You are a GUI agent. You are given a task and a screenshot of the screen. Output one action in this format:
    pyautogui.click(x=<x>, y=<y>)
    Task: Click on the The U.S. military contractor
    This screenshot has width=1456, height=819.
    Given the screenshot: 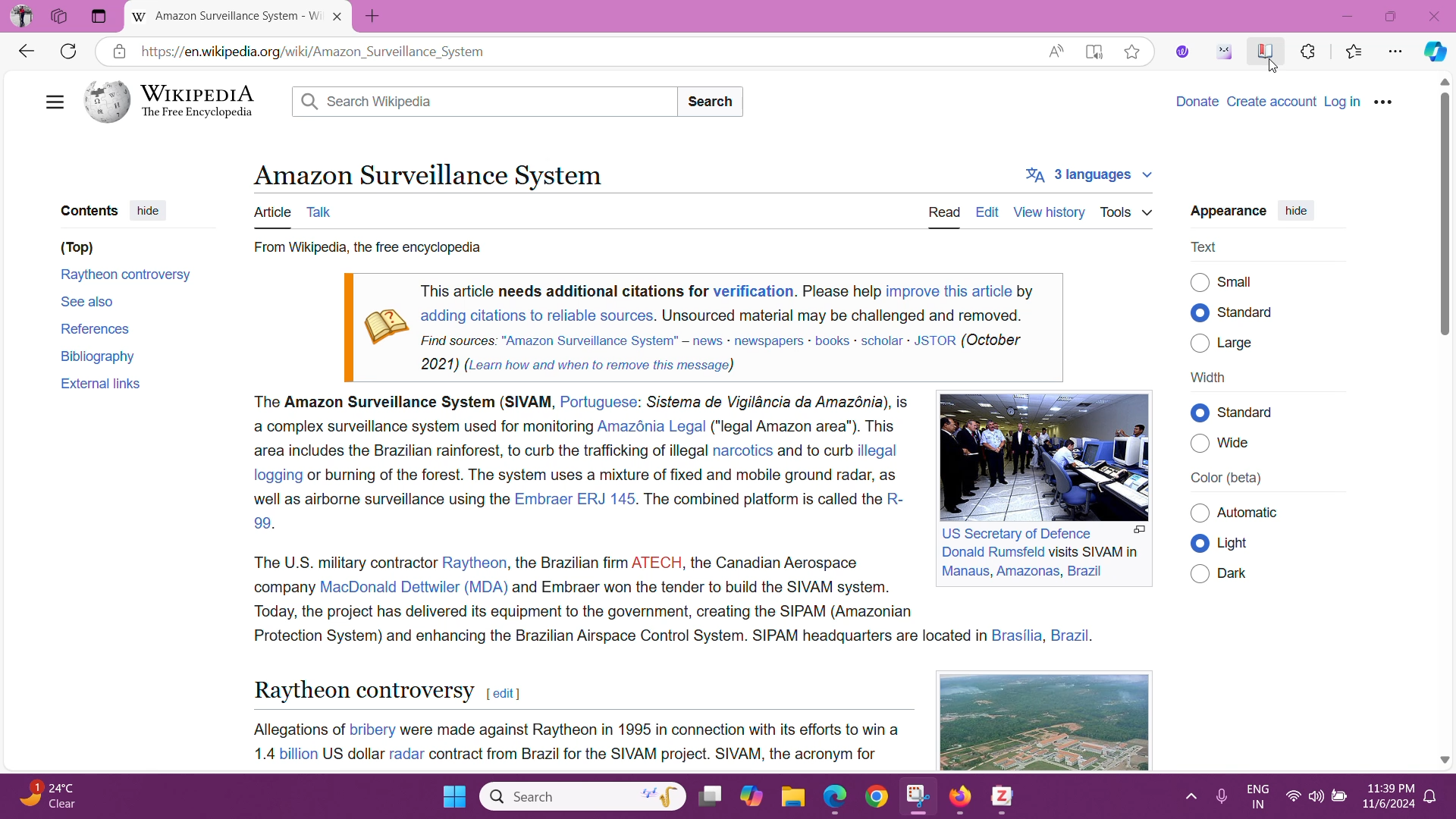 What is the action you would take?
    pyautogui.click(x=341, y=561)
    